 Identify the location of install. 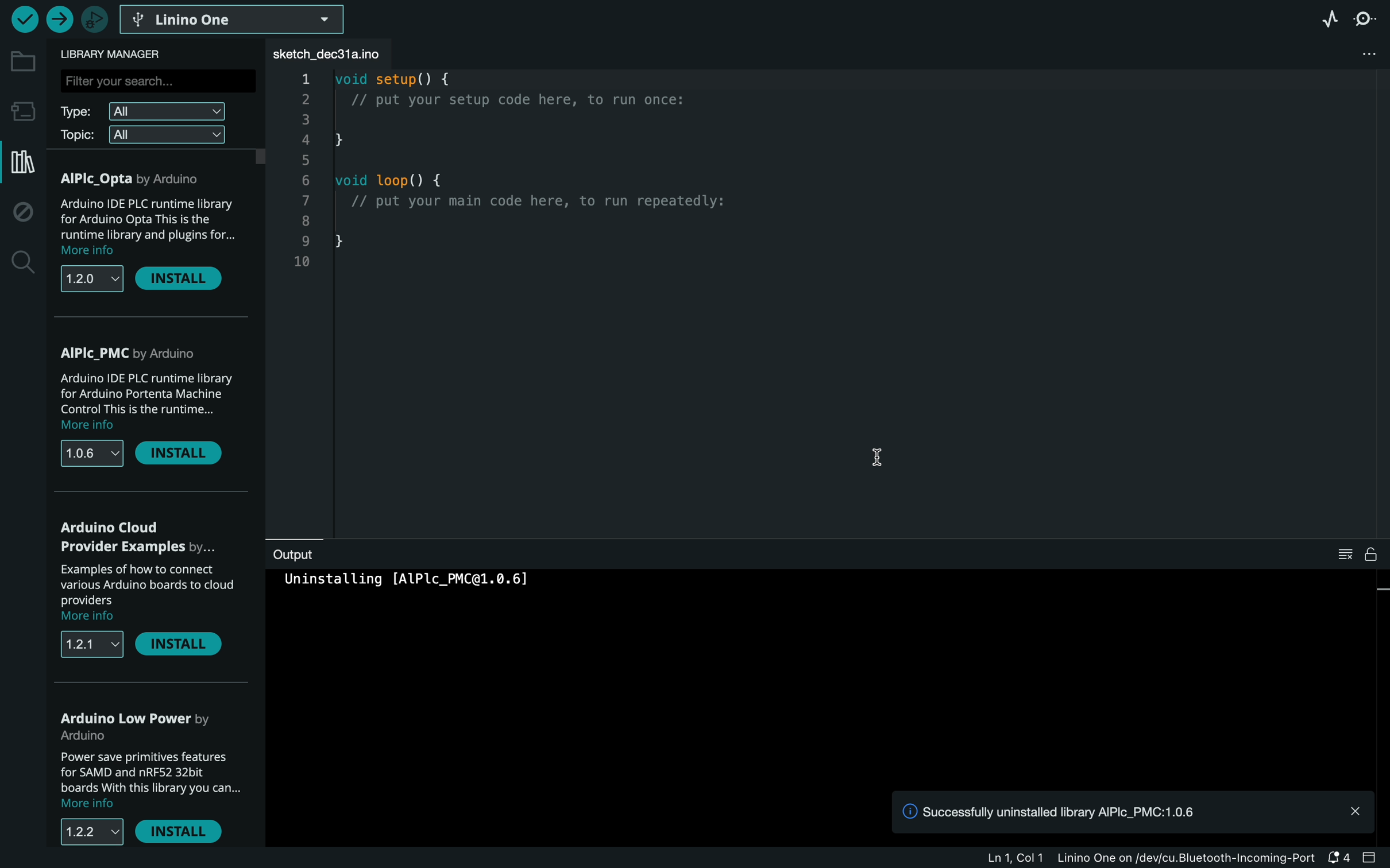
(186, 279).